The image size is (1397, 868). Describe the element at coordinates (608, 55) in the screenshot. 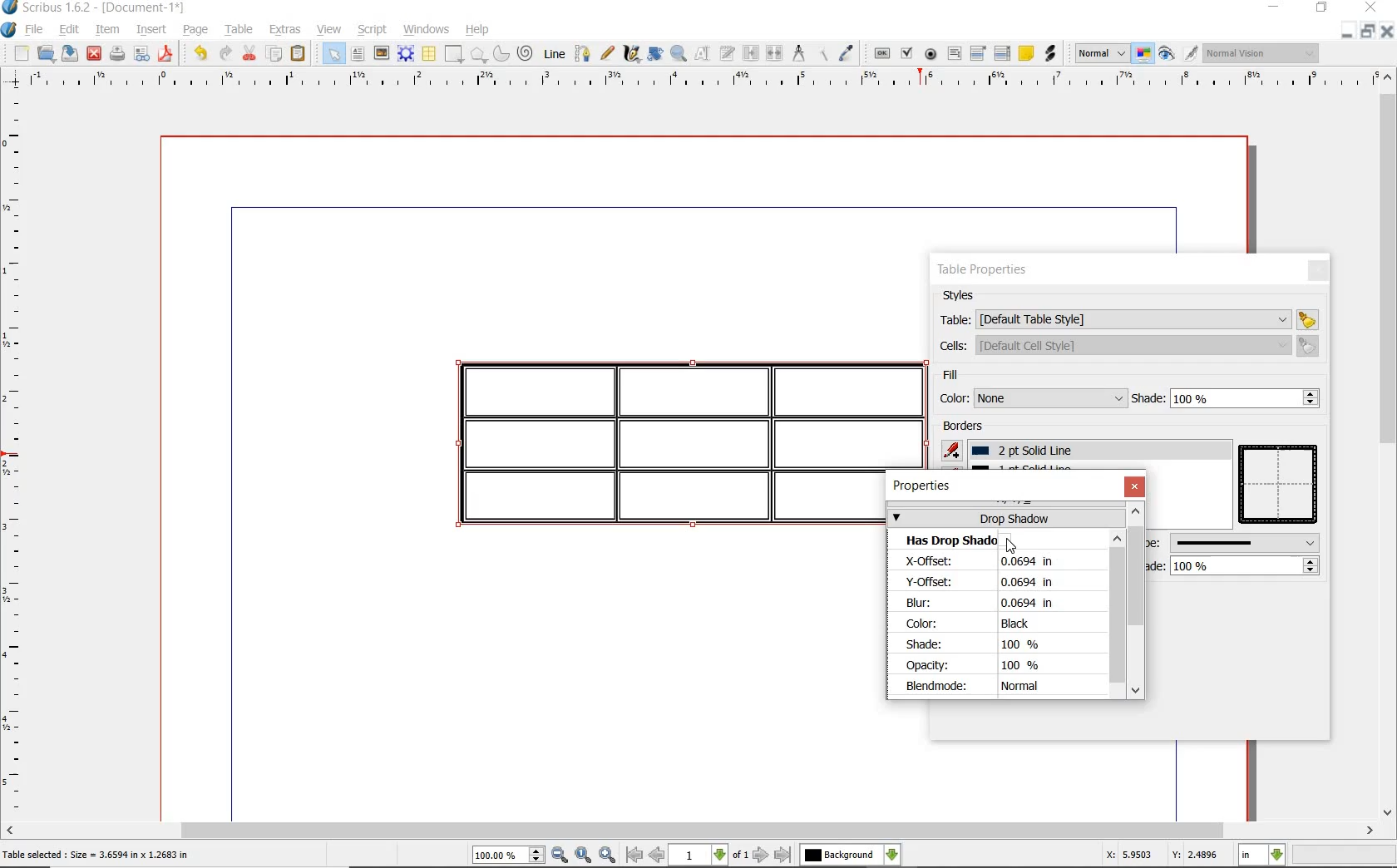

I see `freehand line` at that location.